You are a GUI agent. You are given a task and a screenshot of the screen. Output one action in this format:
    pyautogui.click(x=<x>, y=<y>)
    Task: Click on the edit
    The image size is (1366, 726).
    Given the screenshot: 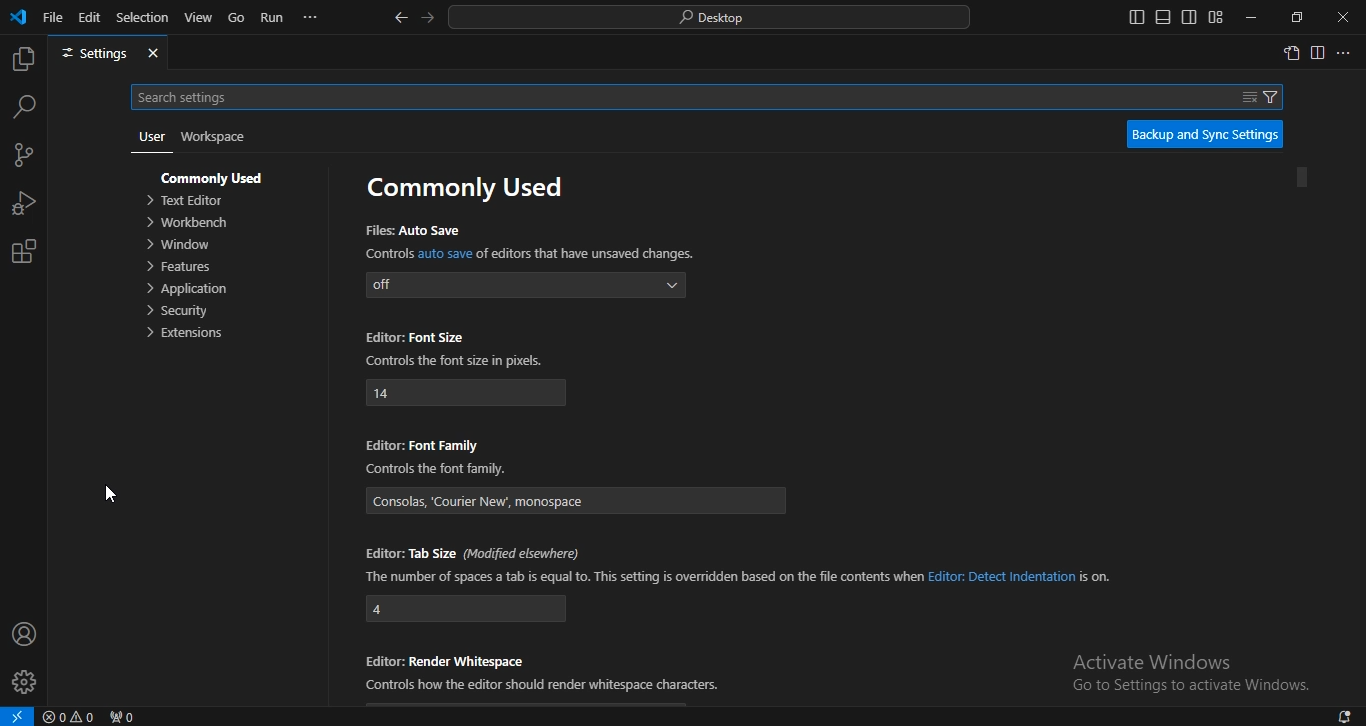 What is the action you would take?
    pyautogui.click(x=89, y=19)
    